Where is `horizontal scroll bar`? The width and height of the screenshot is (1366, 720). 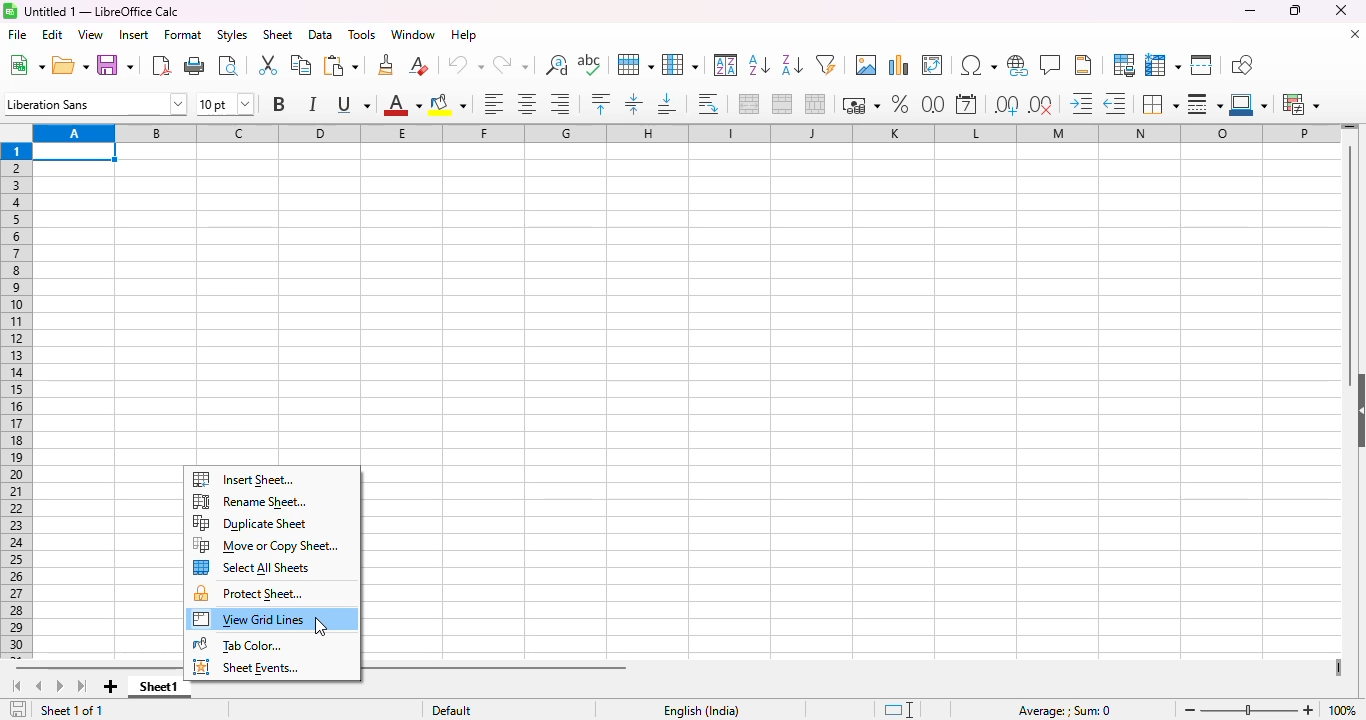 horizontal scroll bar is located at coordinates (96, 669).